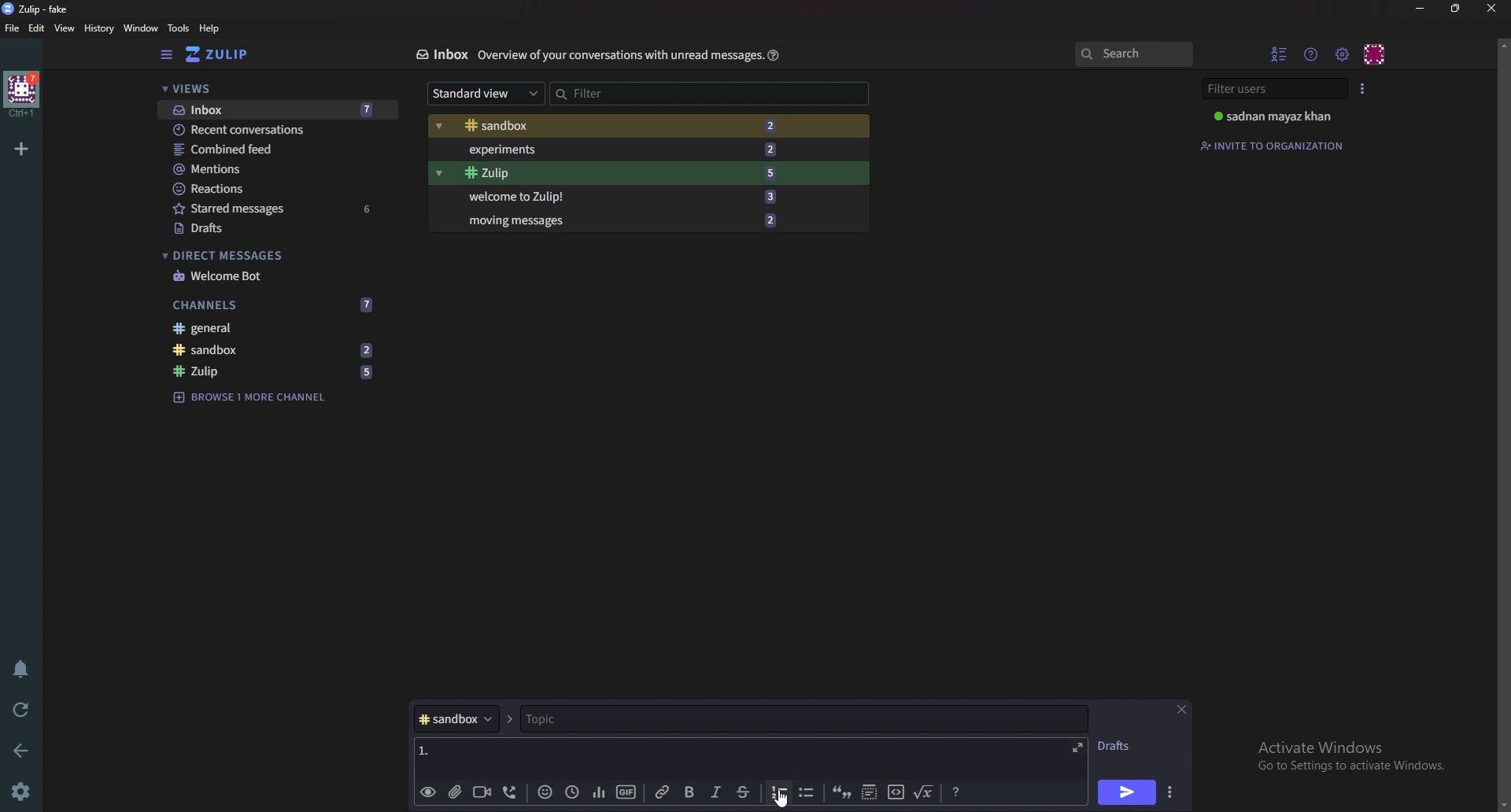 The height and width of the screenshot is (812, 1511). What do you see at coordinates (19, 670) in the screenshot?
I see `Enable do not disturb` at bounding box center [19, 670].